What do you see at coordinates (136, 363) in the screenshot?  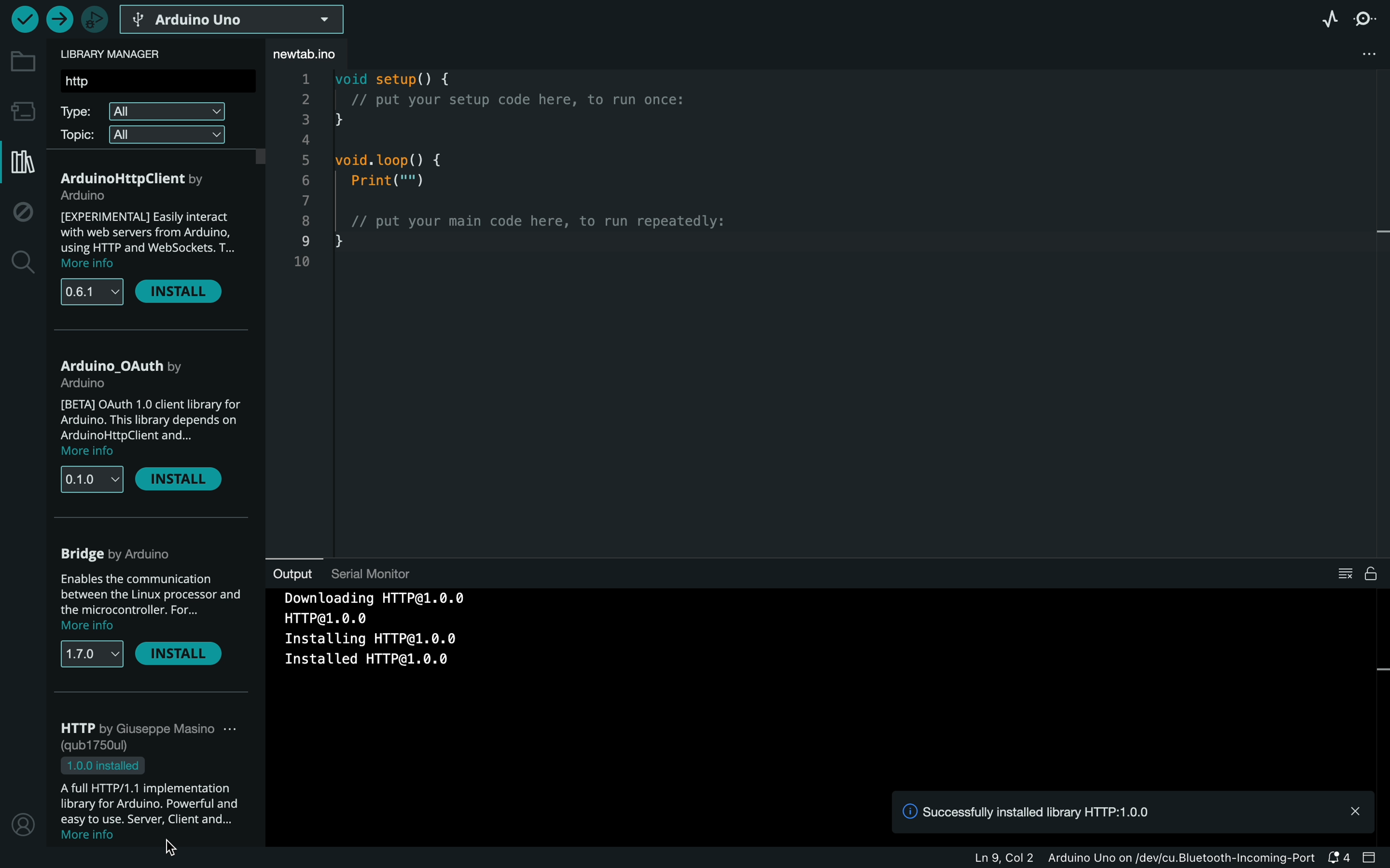 I see `Alplc_PMC` at bounding box center [136, 363].